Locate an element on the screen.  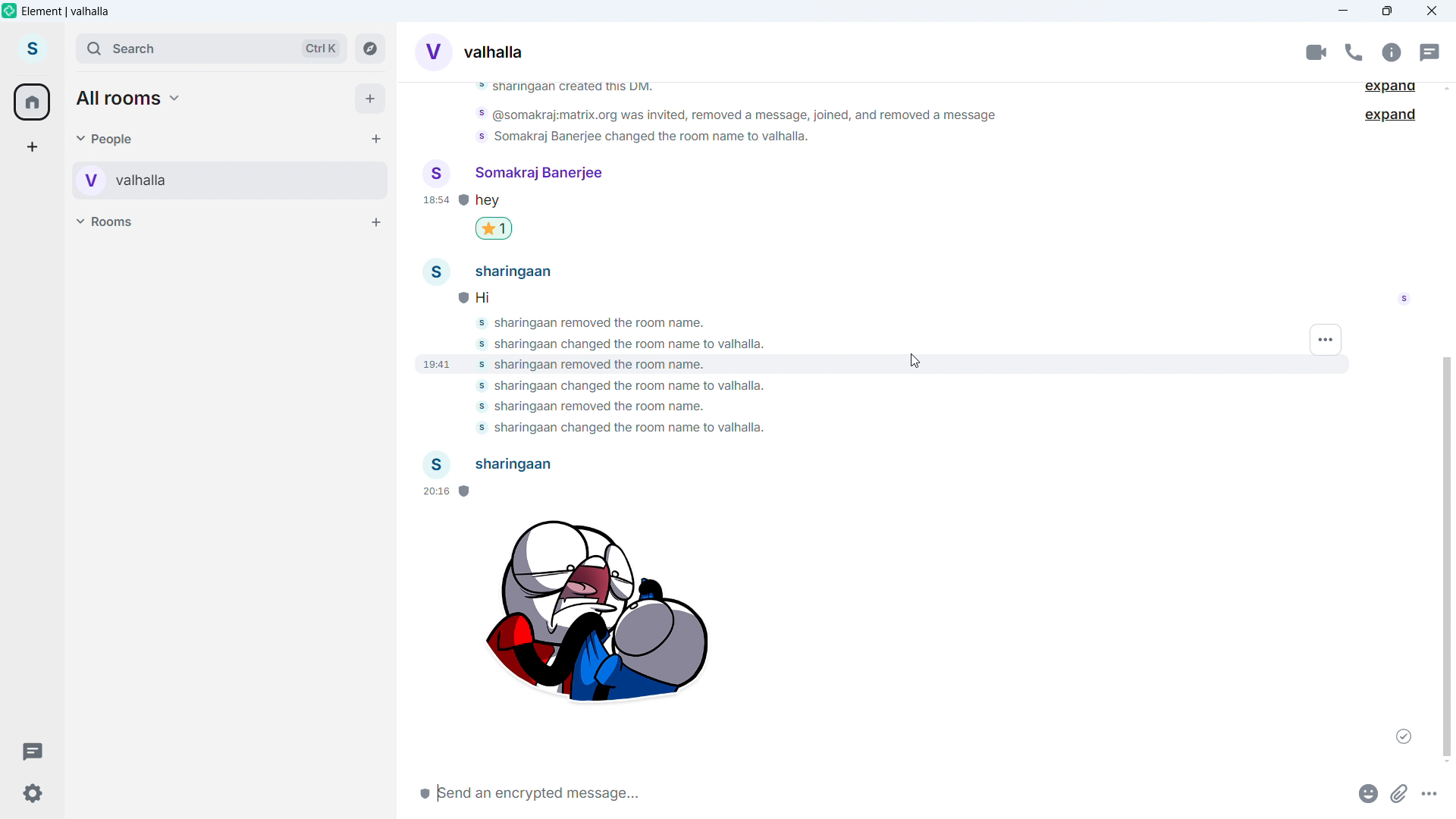
sharinggaan removed the room name is located at coordinates (595, 363).